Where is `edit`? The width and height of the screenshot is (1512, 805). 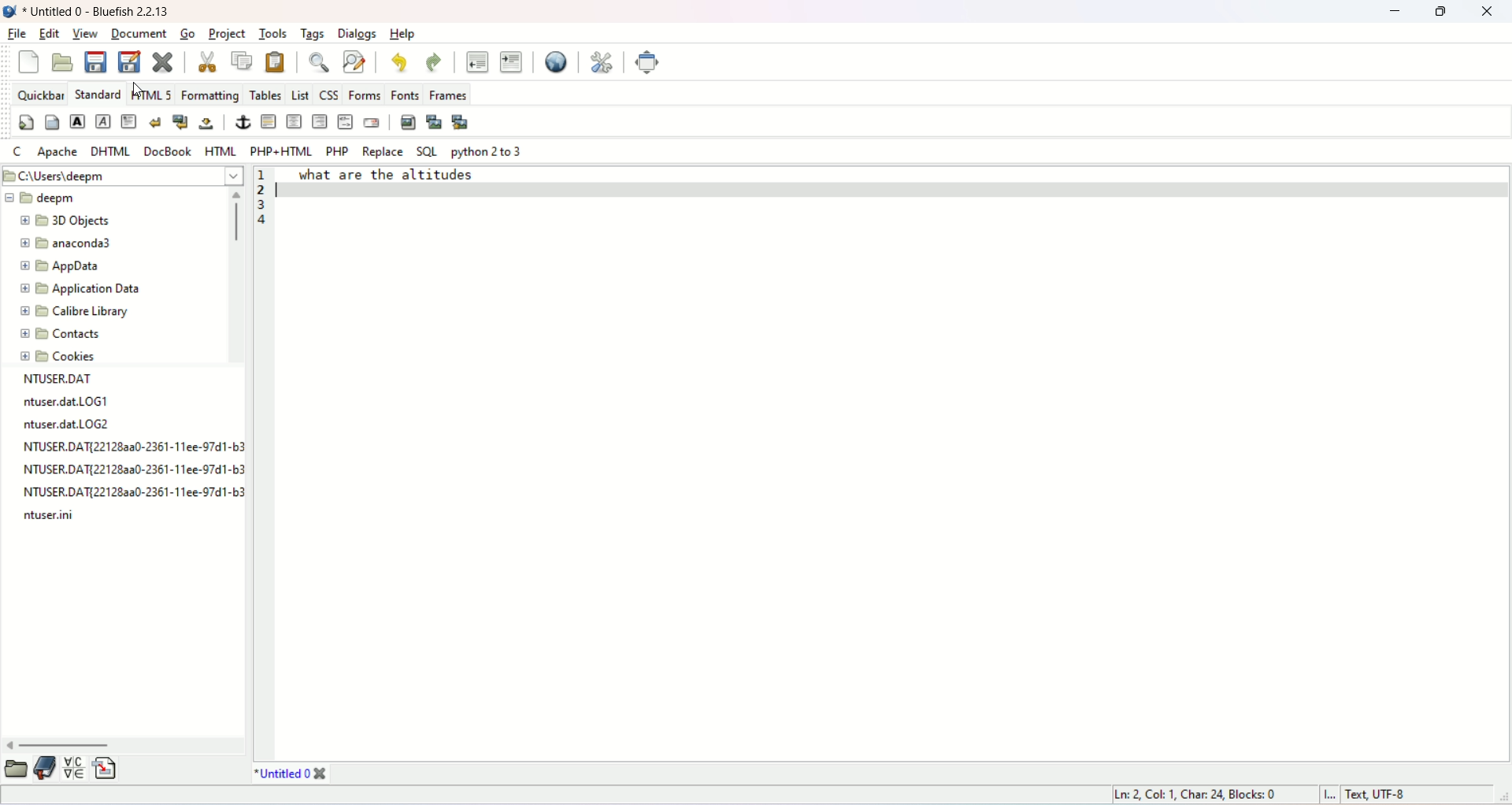
edit is located at coordinates (51, 33).